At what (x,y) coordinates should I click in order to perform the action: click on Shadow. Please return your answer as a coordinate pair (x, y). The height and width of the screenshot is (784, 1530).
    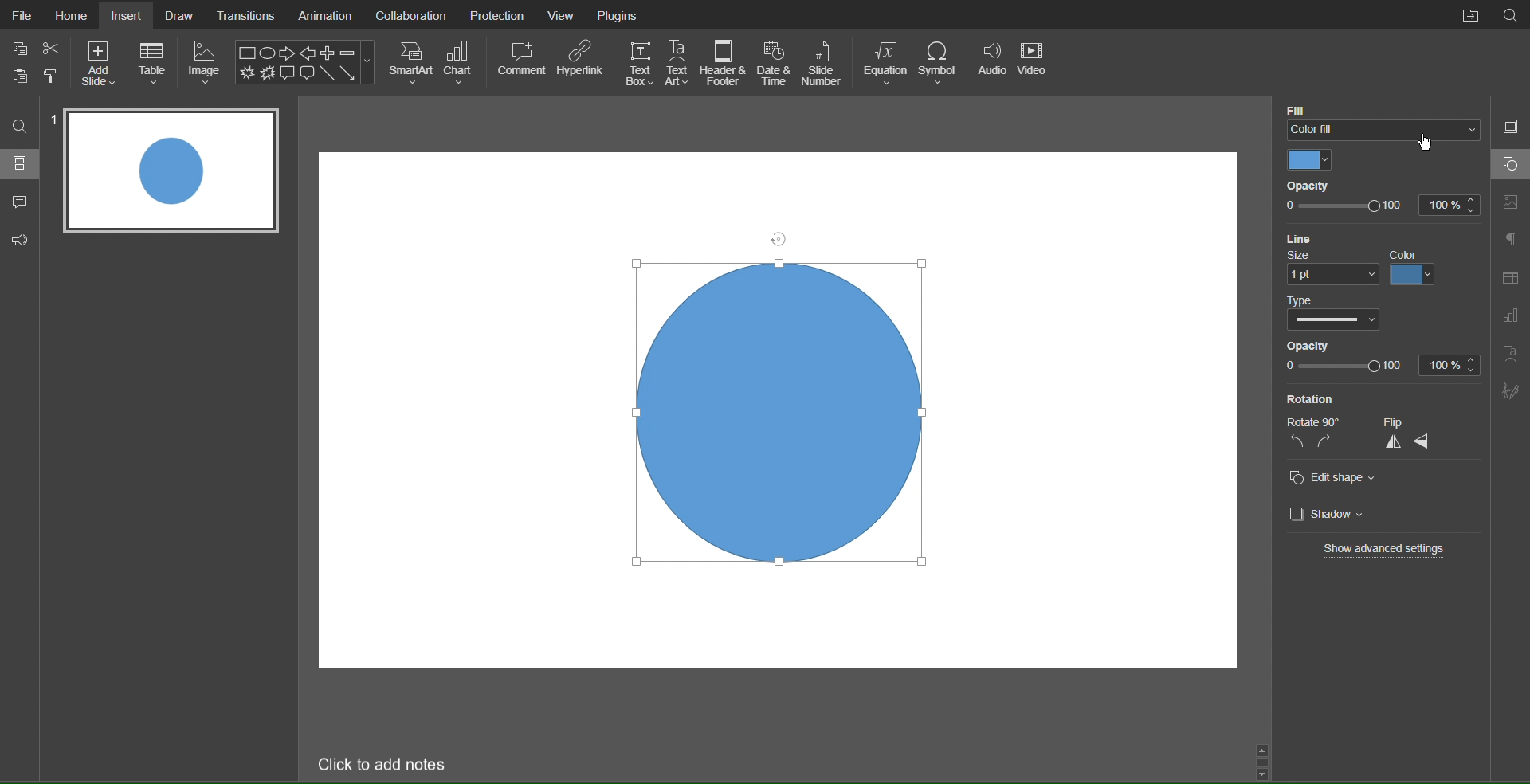
    Looking at the image, I should click on (1331, 515).